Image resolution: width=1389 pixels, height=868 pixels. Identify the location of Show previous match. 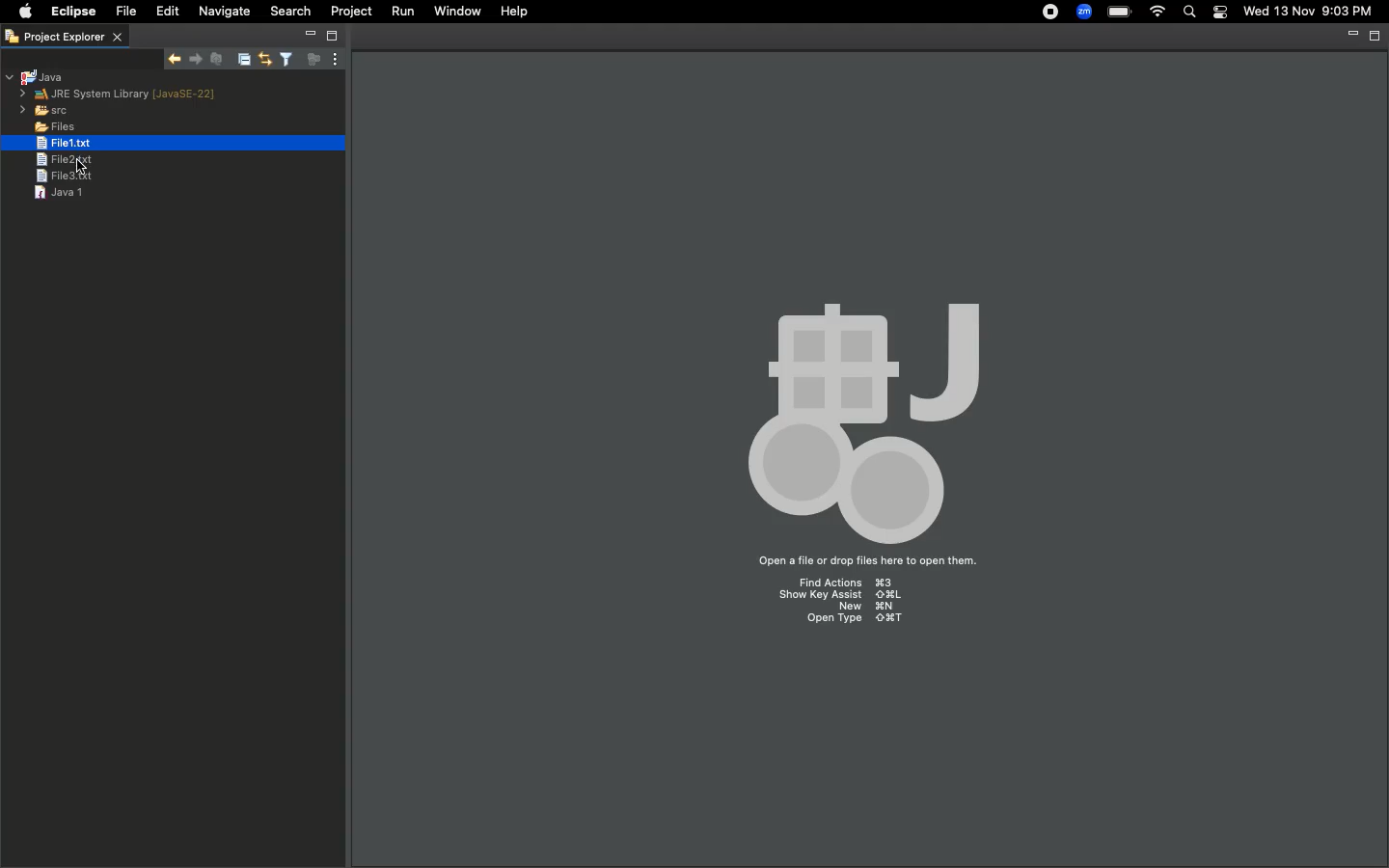
(198, 59).